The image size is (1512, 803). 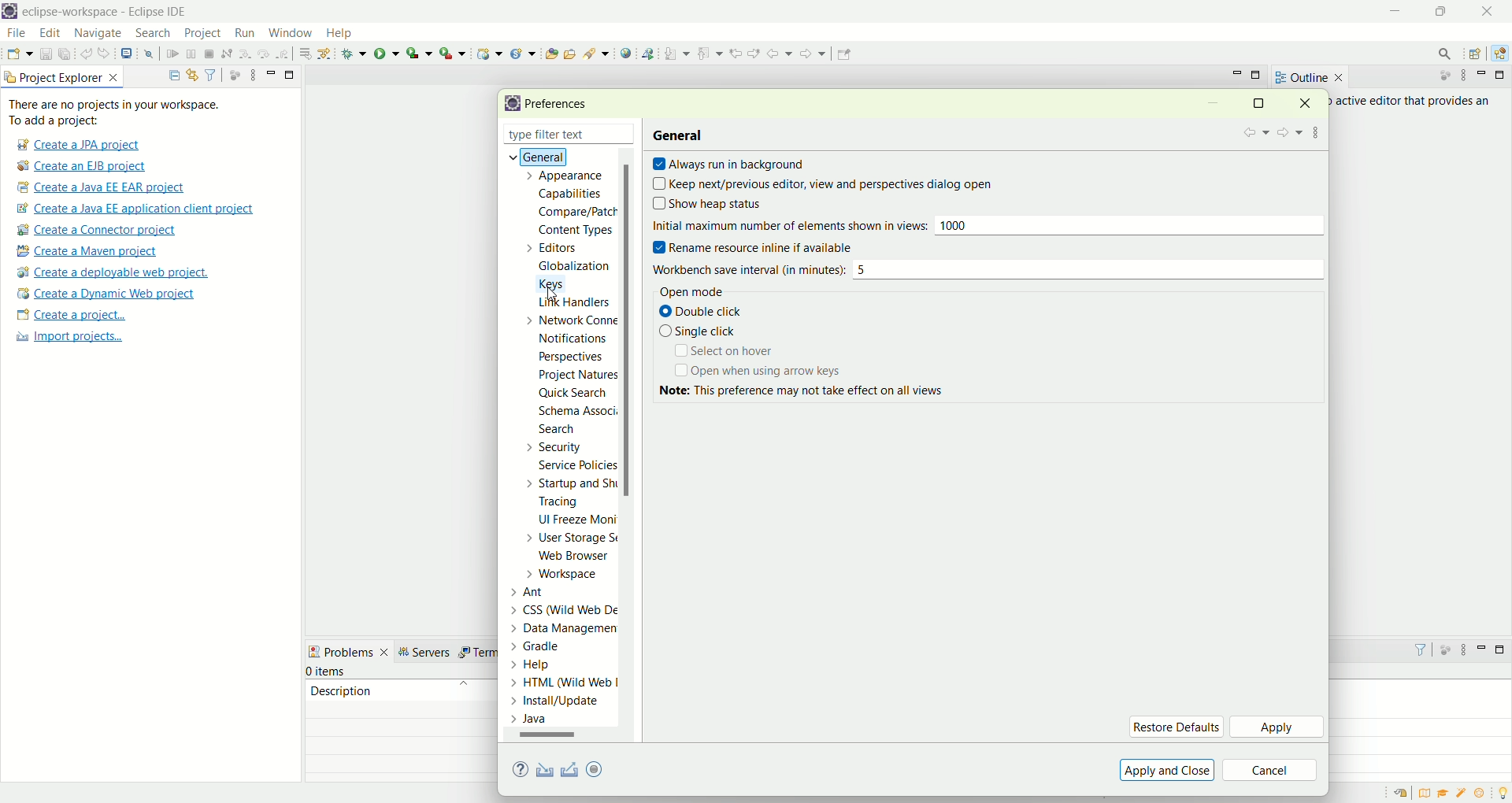 What do you see at coordinates (680, 134) in the screenshot?
I see `general` at bounding box center [680, 134].